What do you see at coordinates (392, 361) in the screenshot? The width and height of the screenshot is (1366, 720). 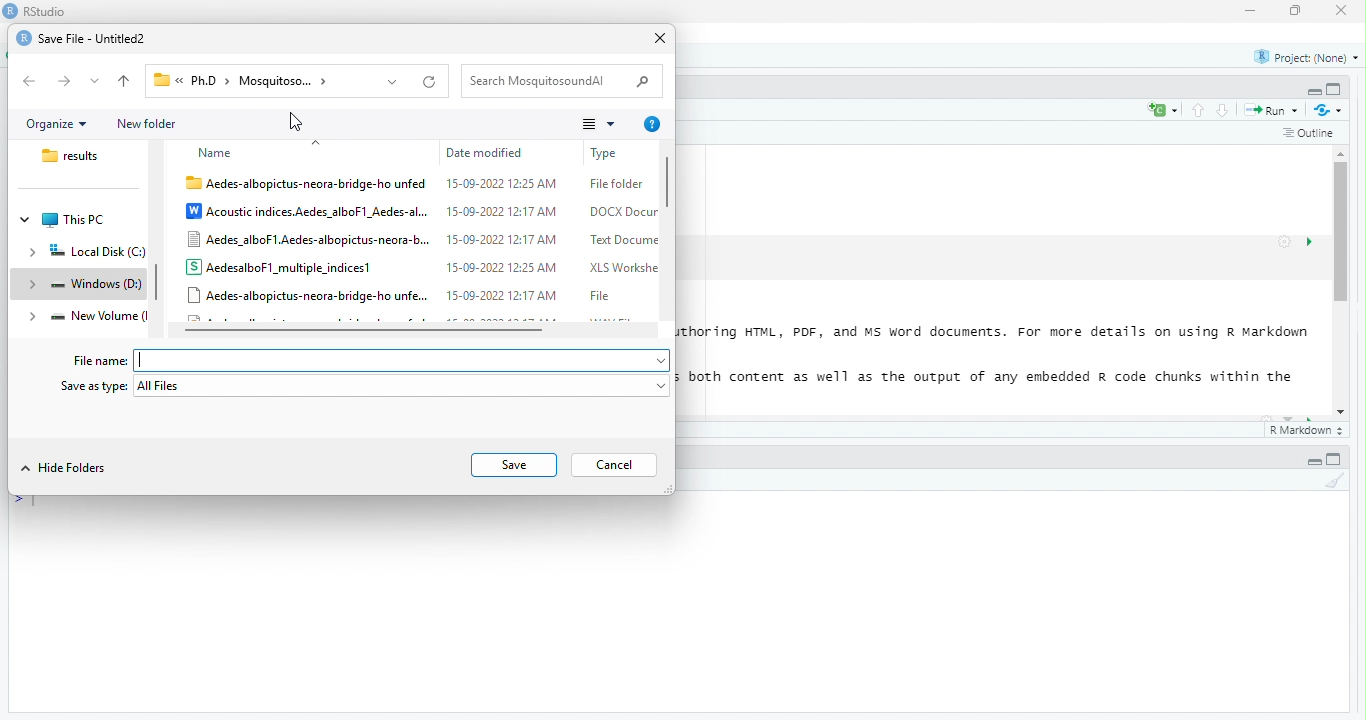 I see `File name:` at bounding box center [392, 361].